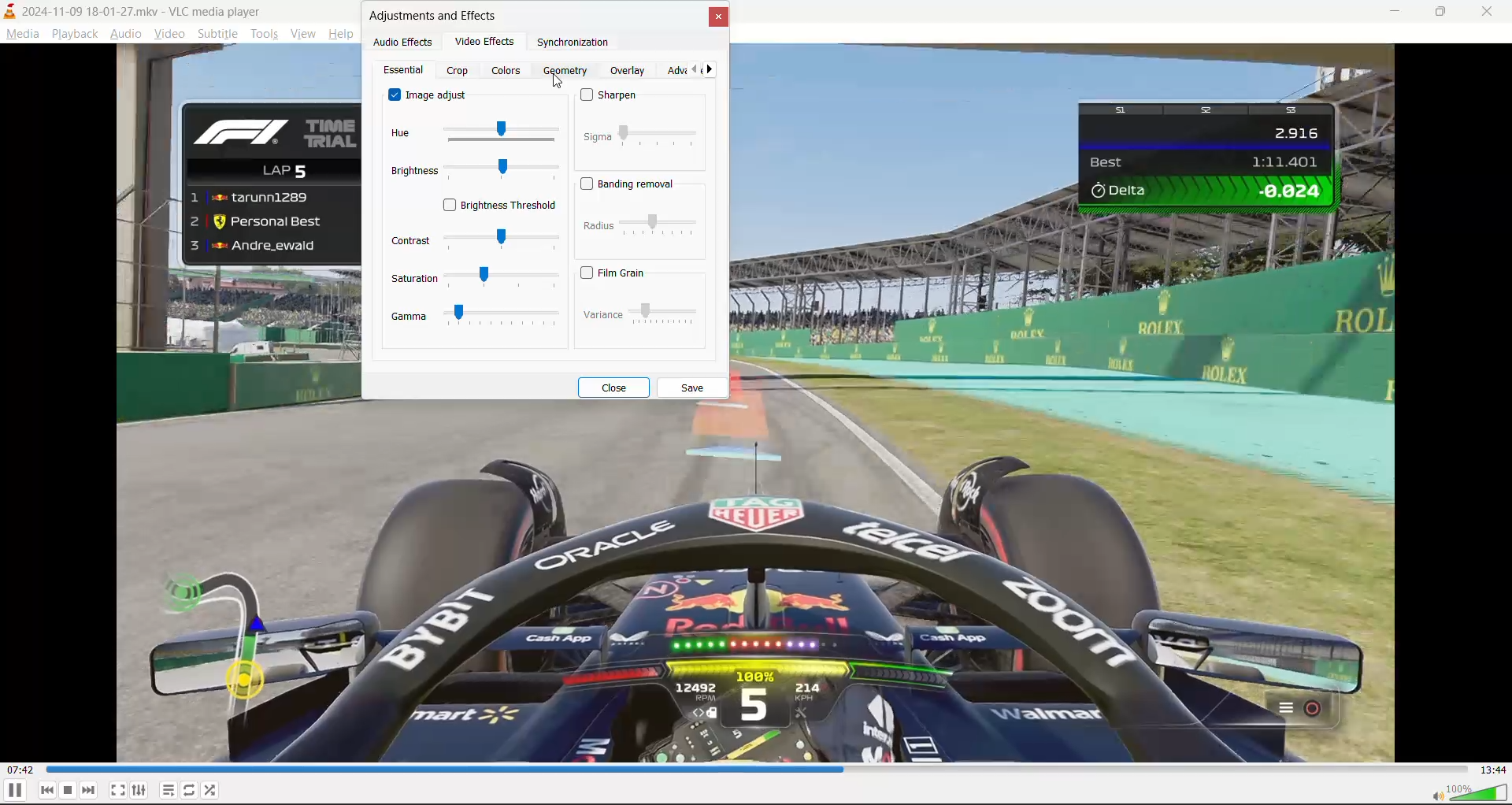  Describe the element at coordinates (460, 71) in the screenshot. I see `crop` at that location.